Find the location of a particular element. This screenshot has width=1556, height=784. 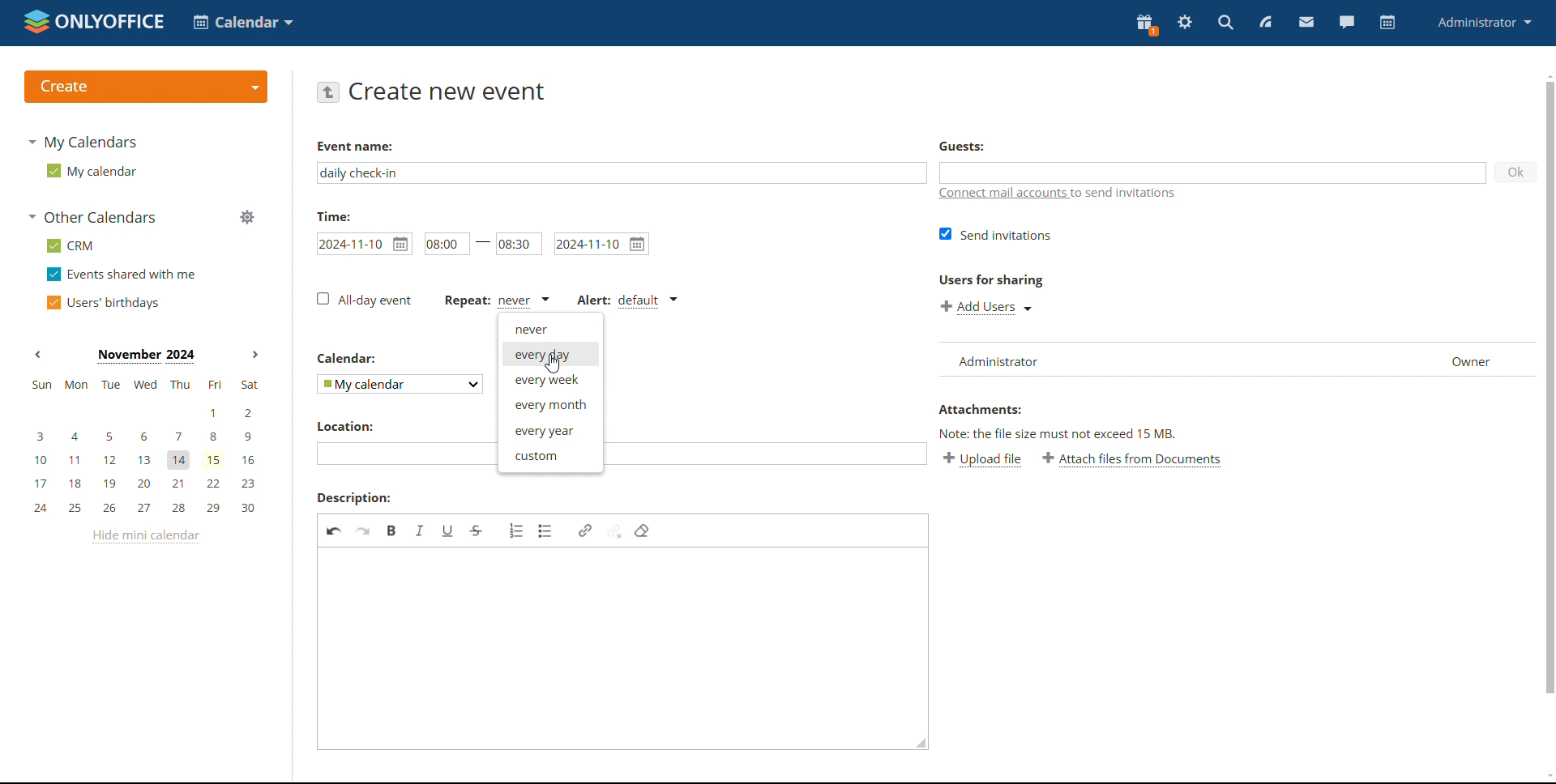

add guests is located at coordinates (1213, 173).